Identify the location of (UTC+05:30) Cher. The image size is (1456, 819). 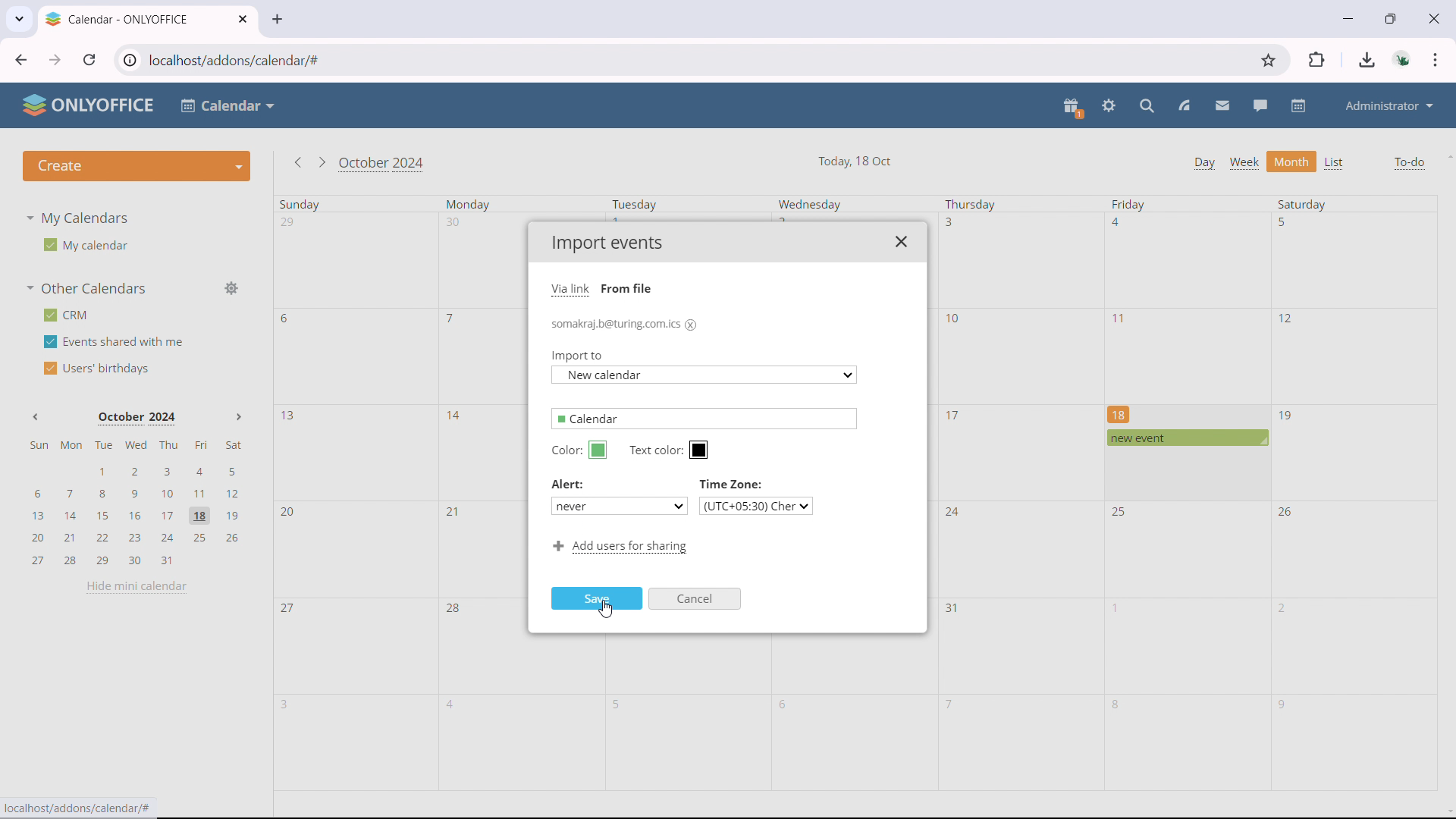
(756, 507).